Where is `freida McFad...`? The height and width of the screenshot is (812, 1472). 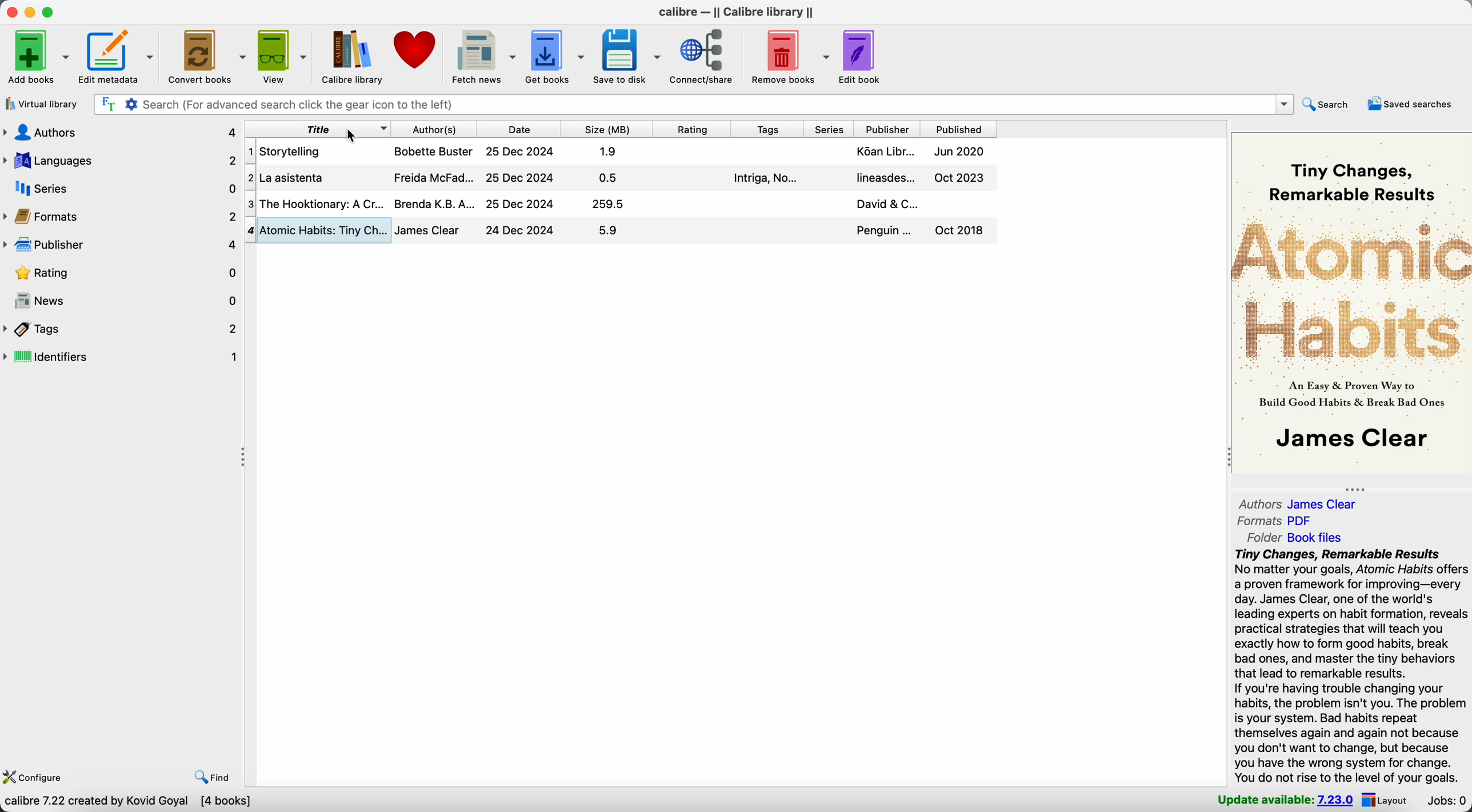
freida McFad... is located at coordinates (434, 177).